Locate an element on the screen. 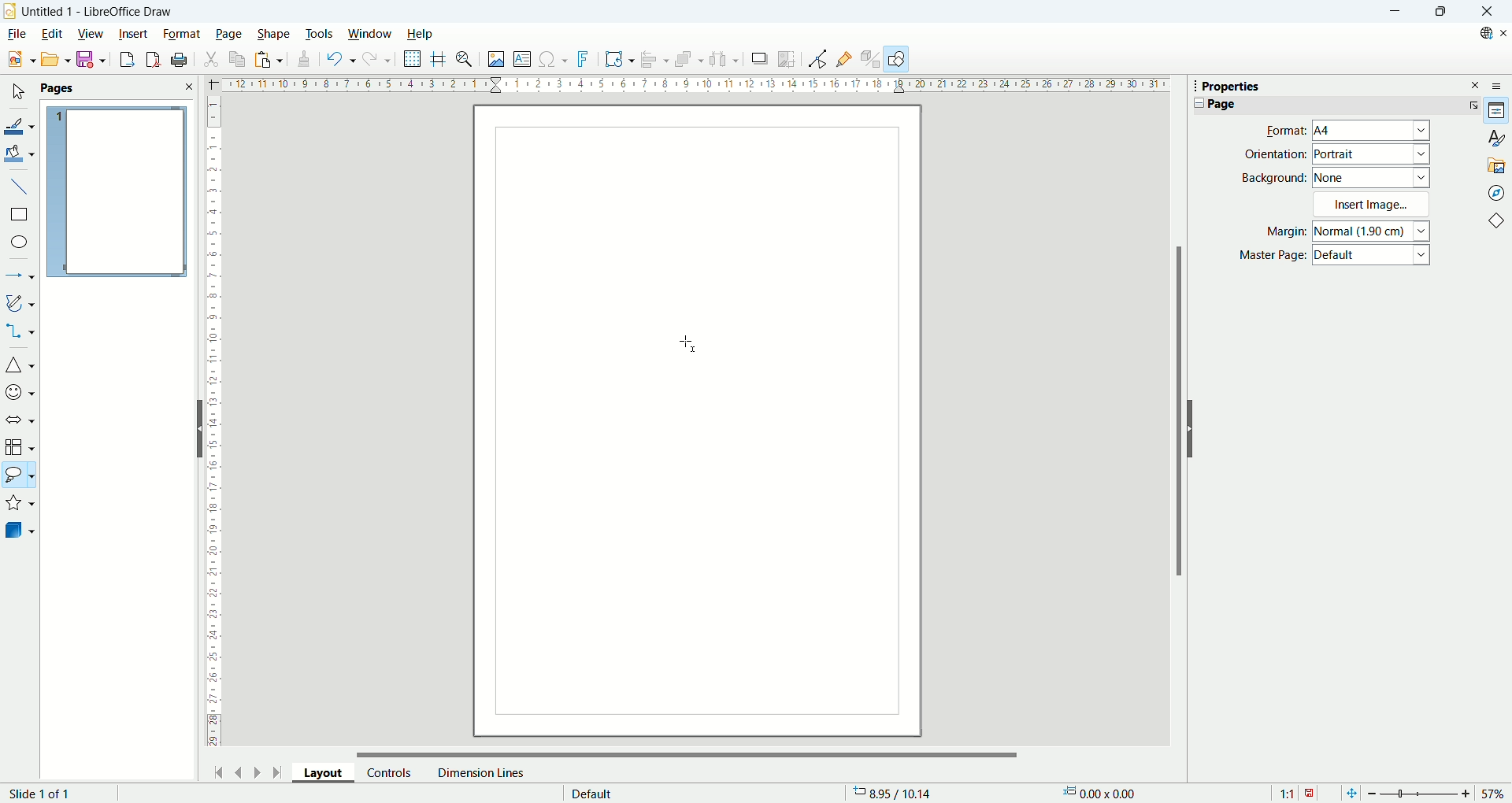  edit is located at coordinates (51, 35).